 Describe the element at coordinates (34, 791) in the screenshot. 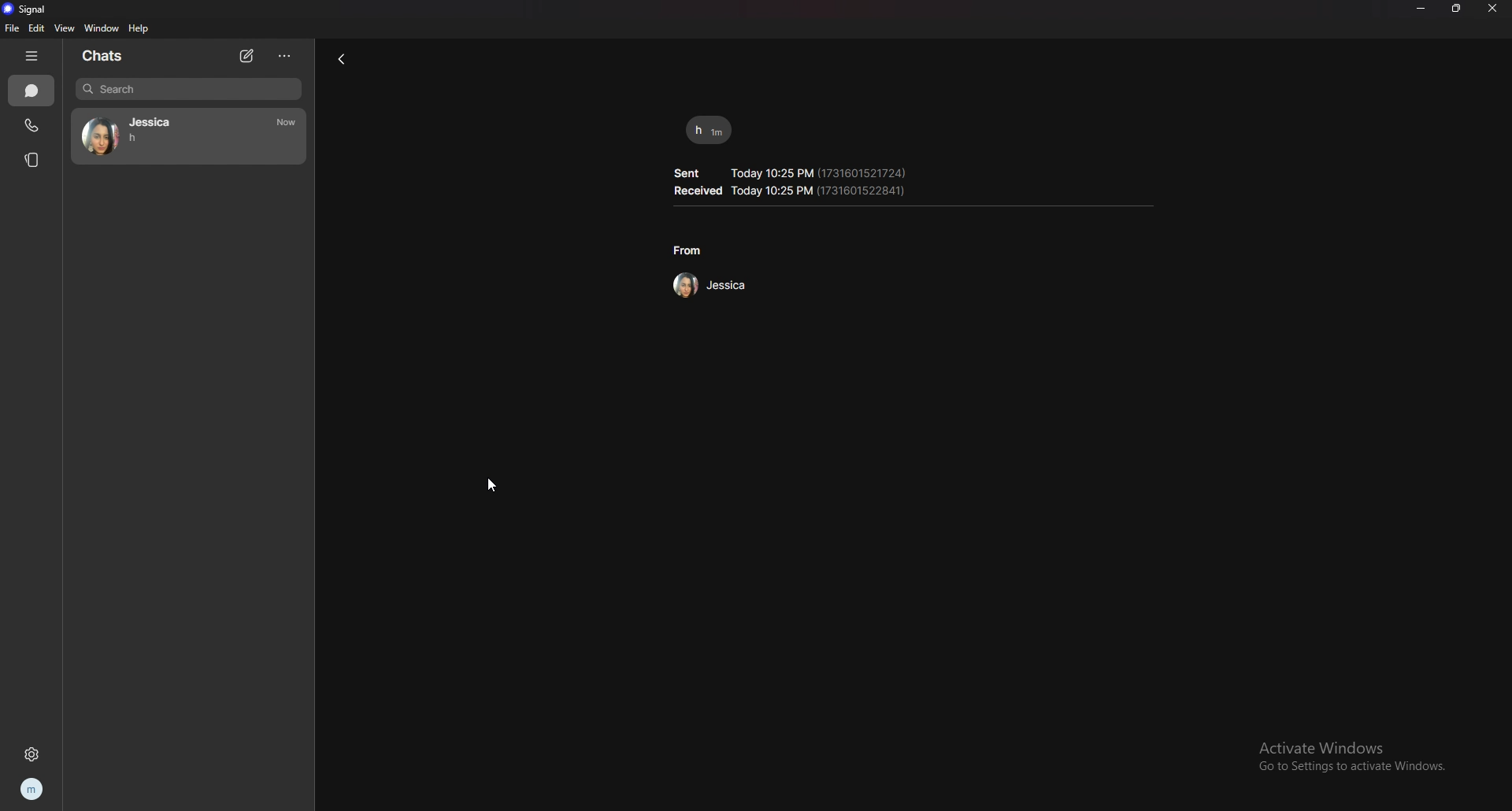

I see `profile` at that location.